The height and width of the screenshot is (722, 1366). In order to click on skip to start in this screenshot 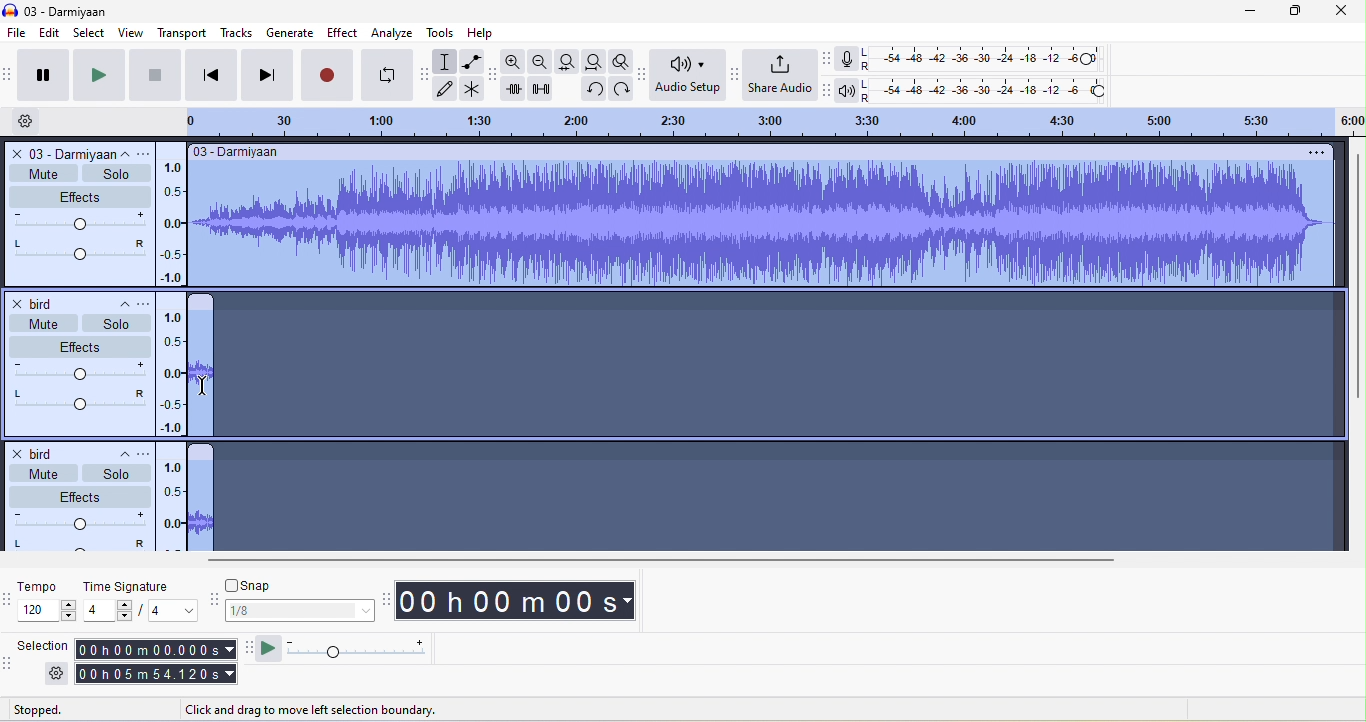, I will do `click(214, 74)`.